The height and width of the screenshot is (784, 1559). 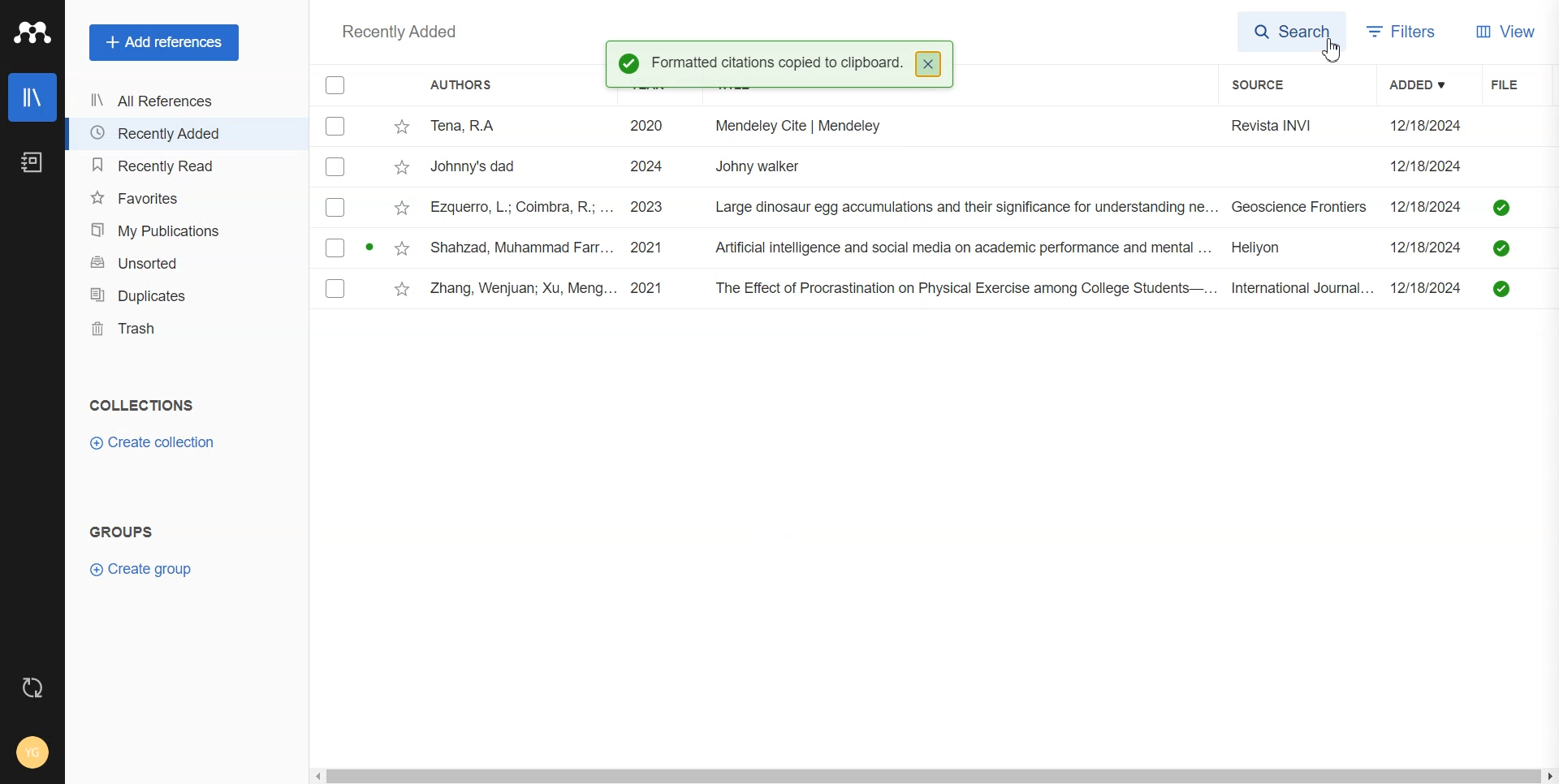 I want to click on saved, so click(x=1501, y=288).